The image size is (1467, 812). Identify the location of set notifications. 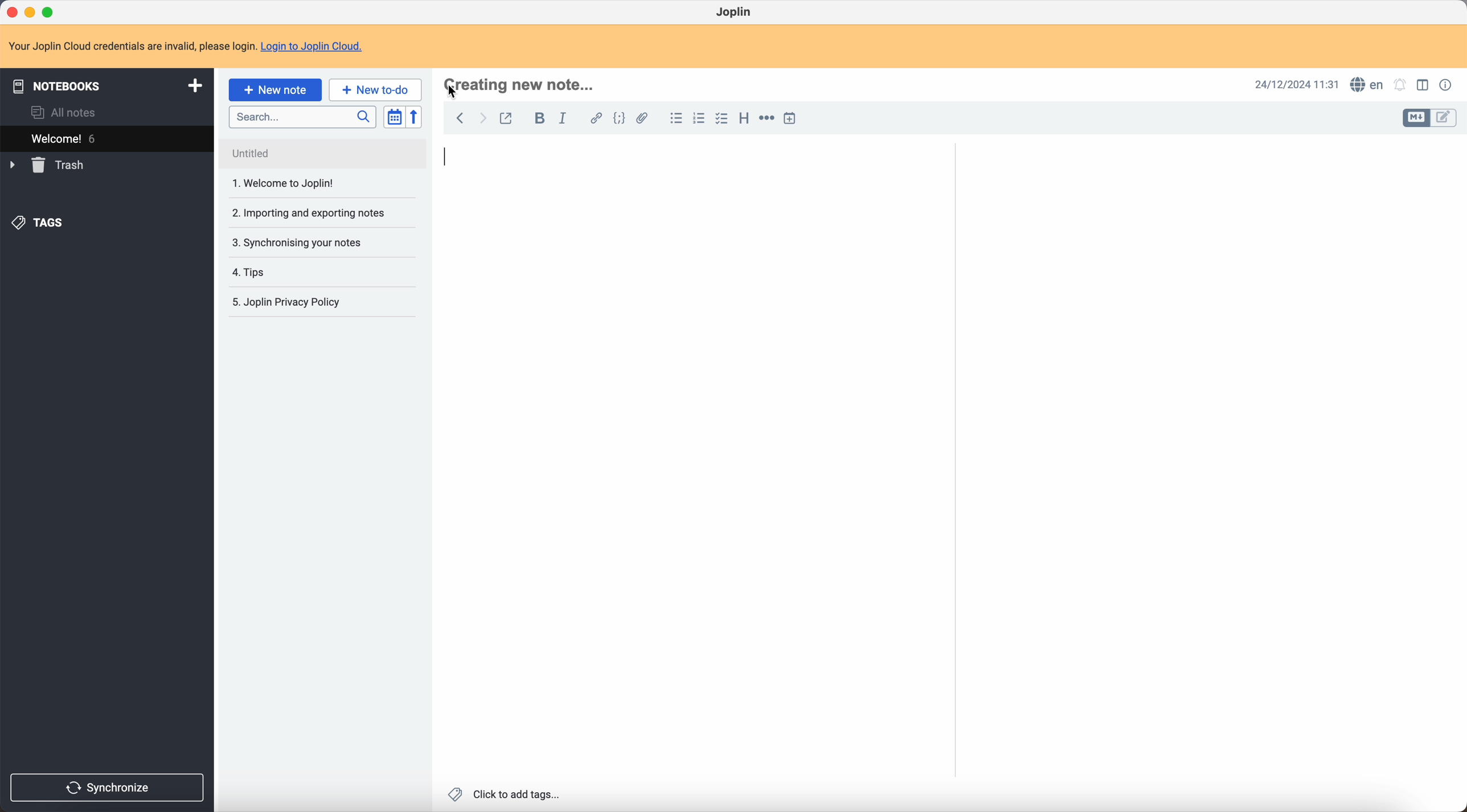
(1400, 85).